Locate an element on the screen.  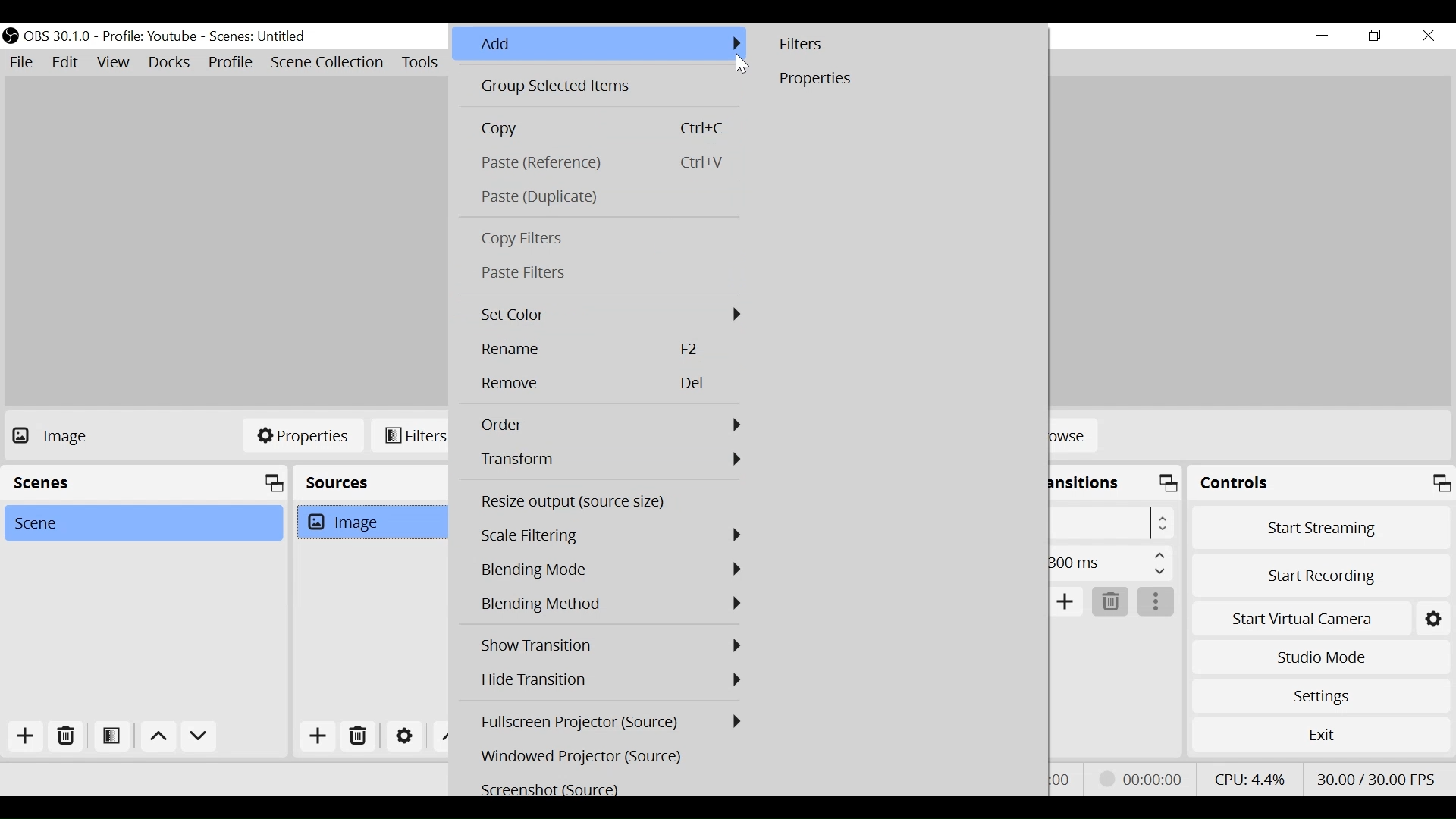
OBS Studio Desktop Icon is located at coordinates (12, 36).